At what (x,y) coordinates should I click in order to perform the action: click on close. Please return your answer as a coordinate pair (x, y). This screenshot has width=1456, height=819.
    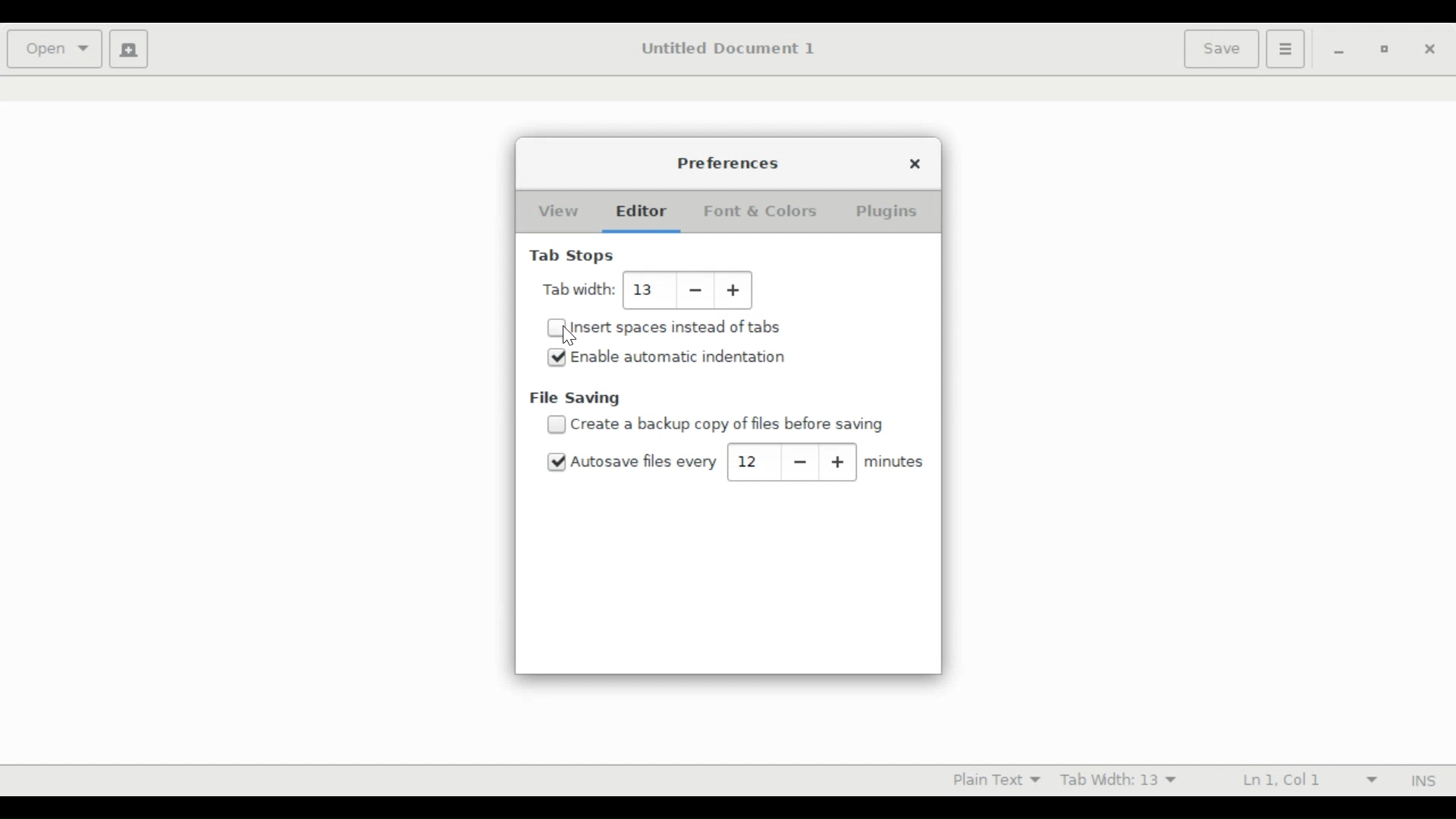
    Looking at the image, I should click on (1428, 48).